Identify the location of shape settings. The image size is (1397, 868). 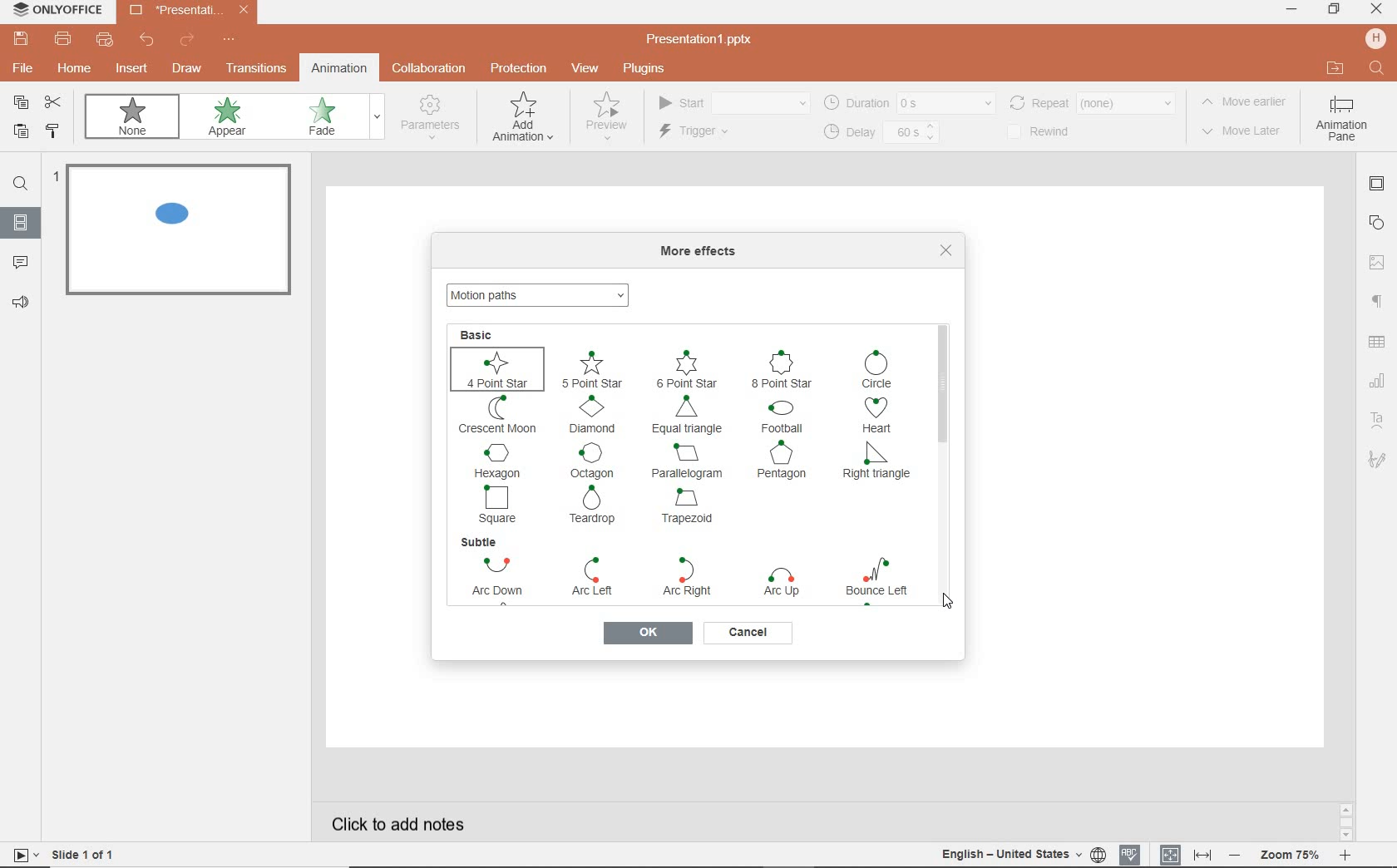
(1380, 222).